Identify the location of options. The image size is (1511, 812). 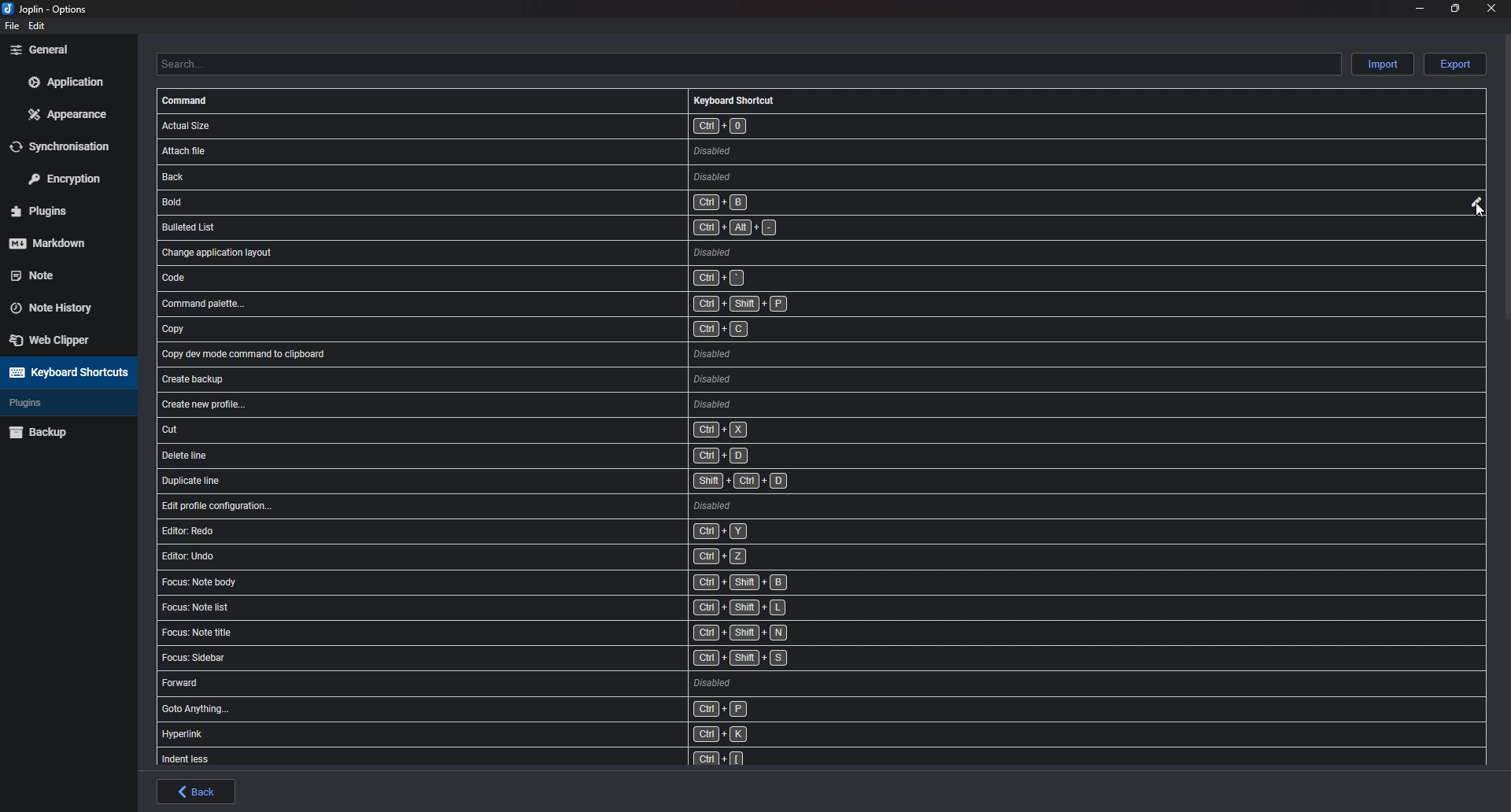
(49, 10).